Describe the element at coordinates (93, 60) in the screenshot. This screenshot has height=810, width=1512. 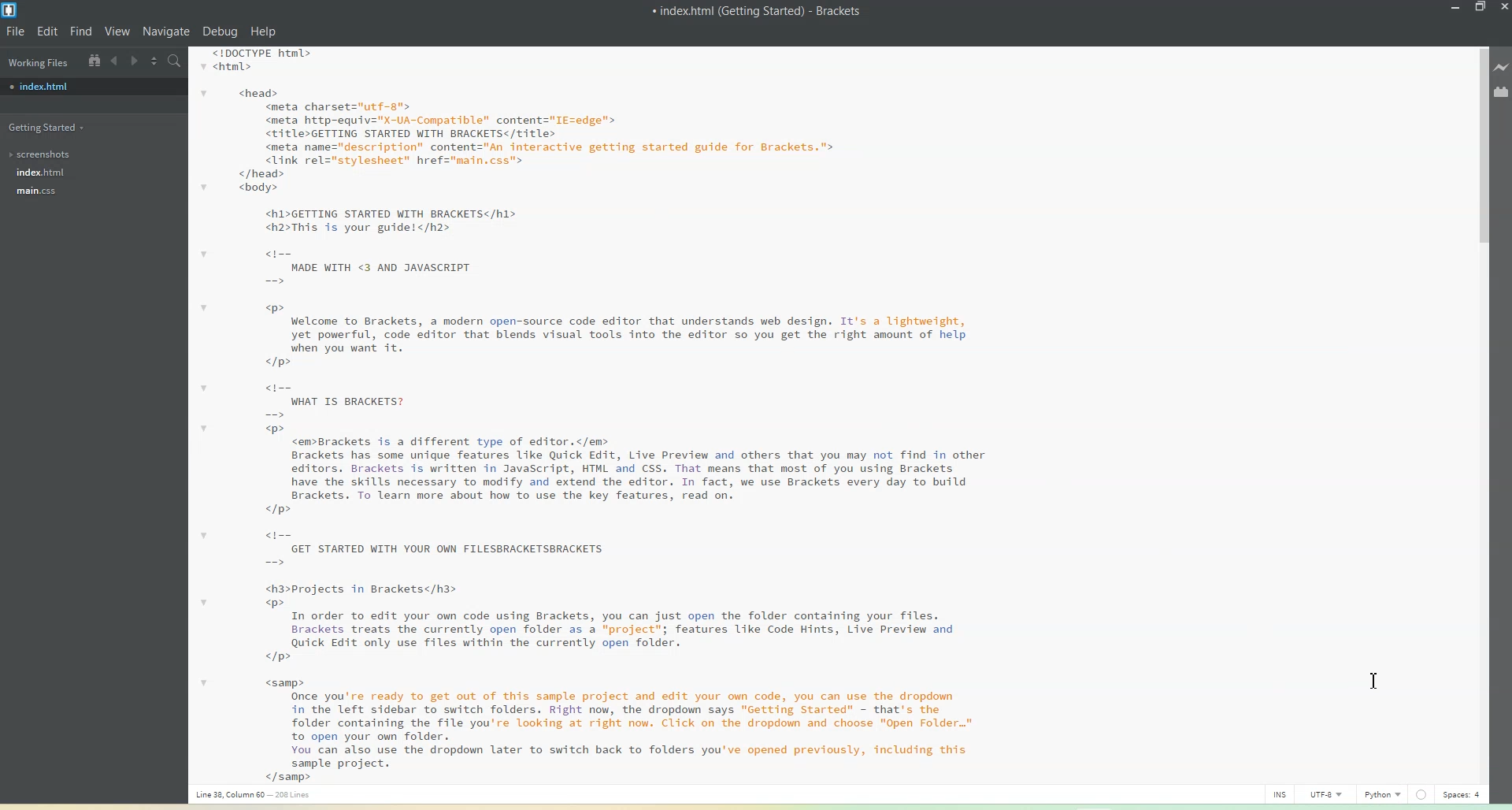
I see `Show in file Tree` at that location.